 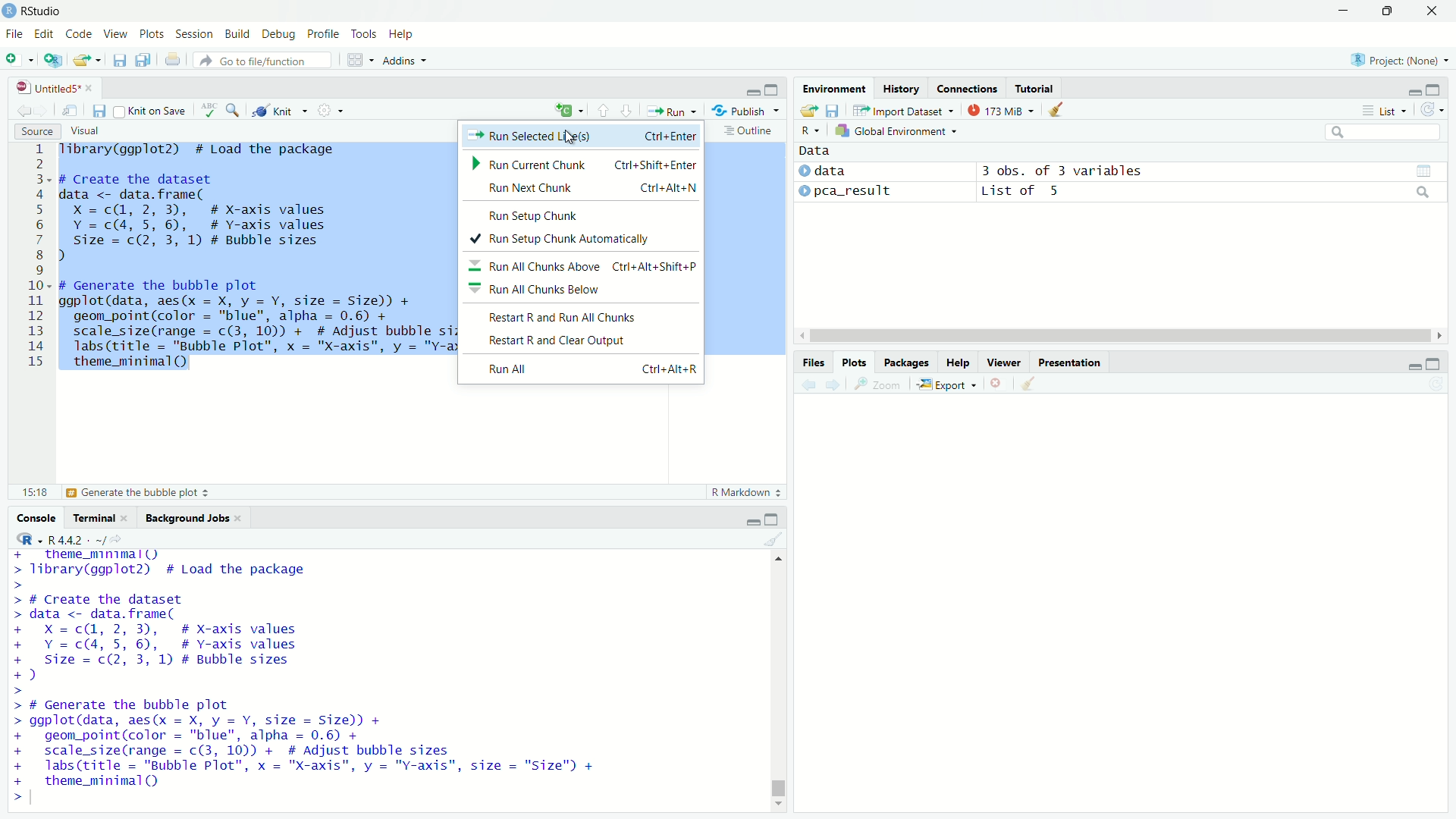 I want to click on go to file/function, so click(x=264, y=60).